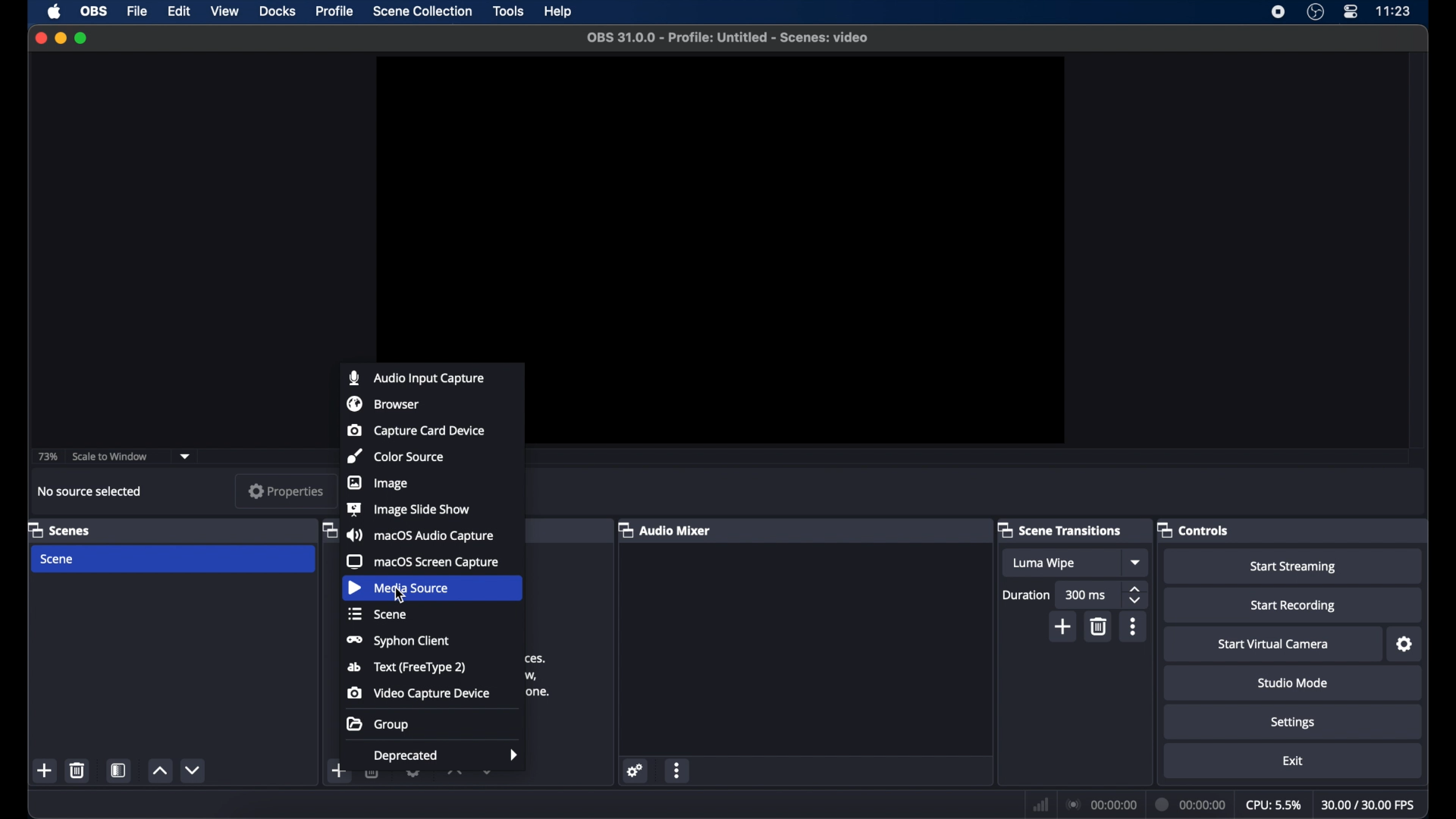 Image resolution: width=1456 pixels, height=819 pixels. What do you see at coordinates (423, 561) in the screenshot?
I see `macOS screen capture` at bounding box center [423, 561].